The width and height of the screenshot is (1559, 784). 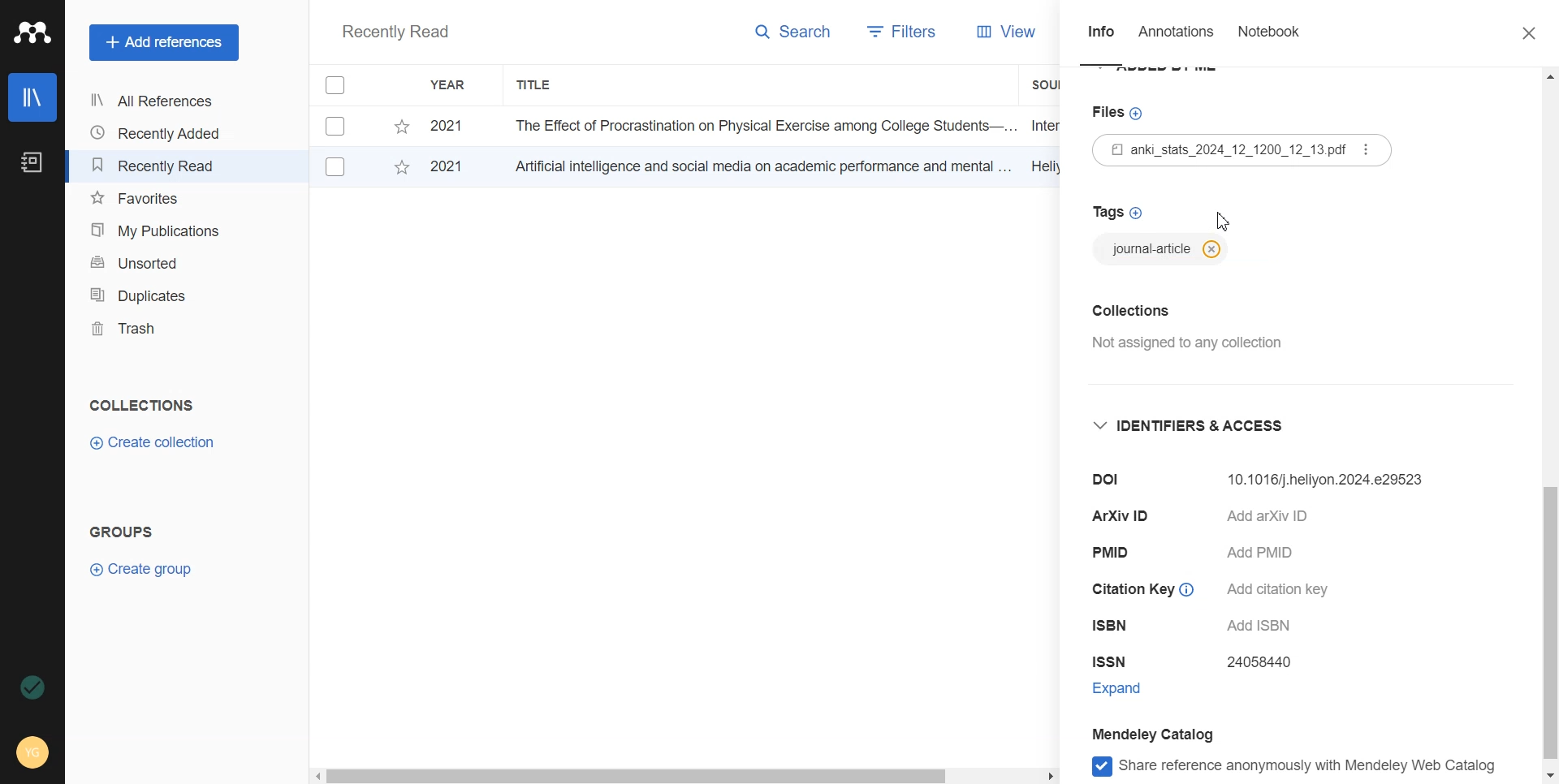 I want to click on Starred, so click(x=401, y=127).